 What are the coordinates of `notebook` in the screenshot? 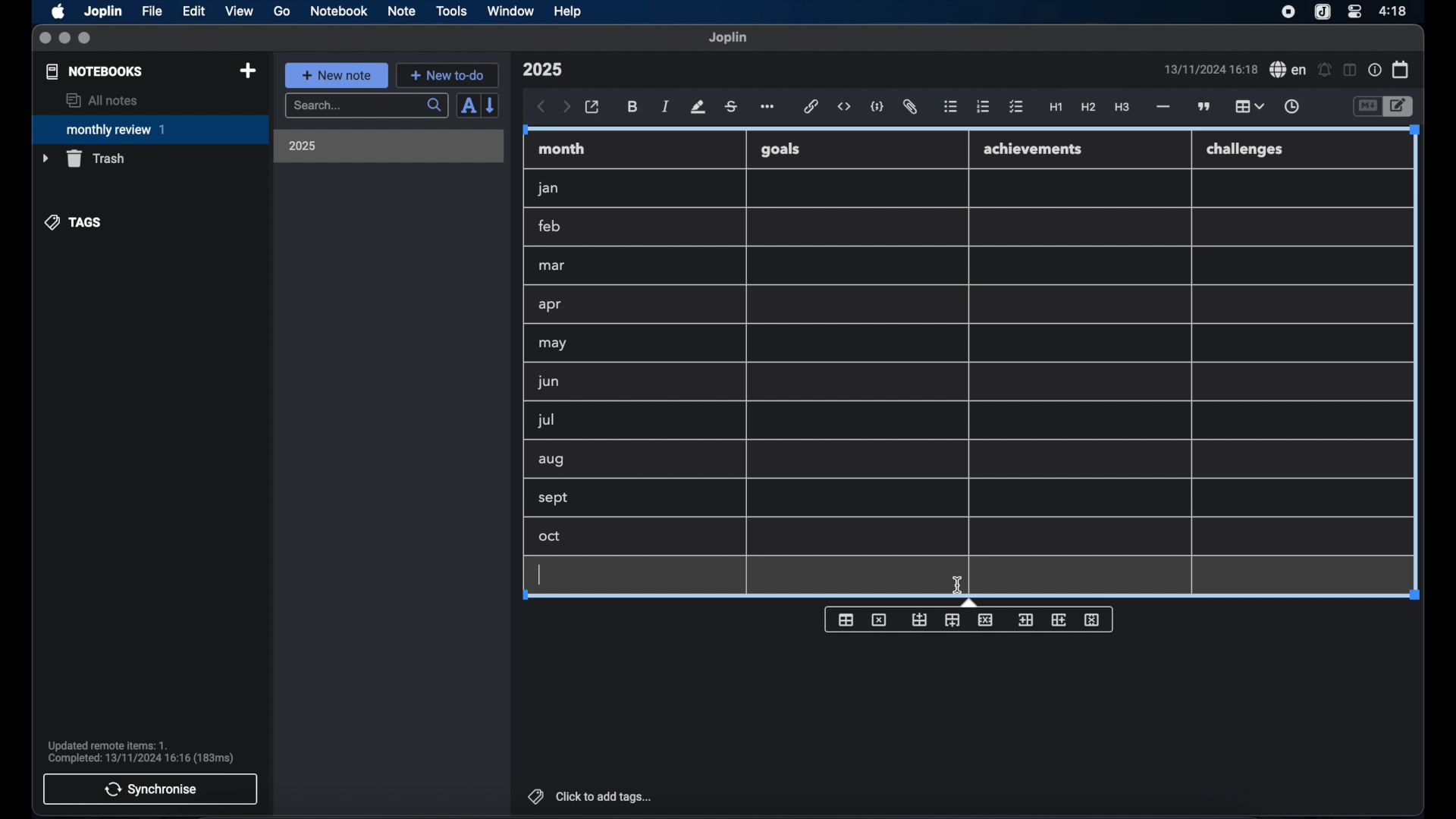 It's located at (339, 11).